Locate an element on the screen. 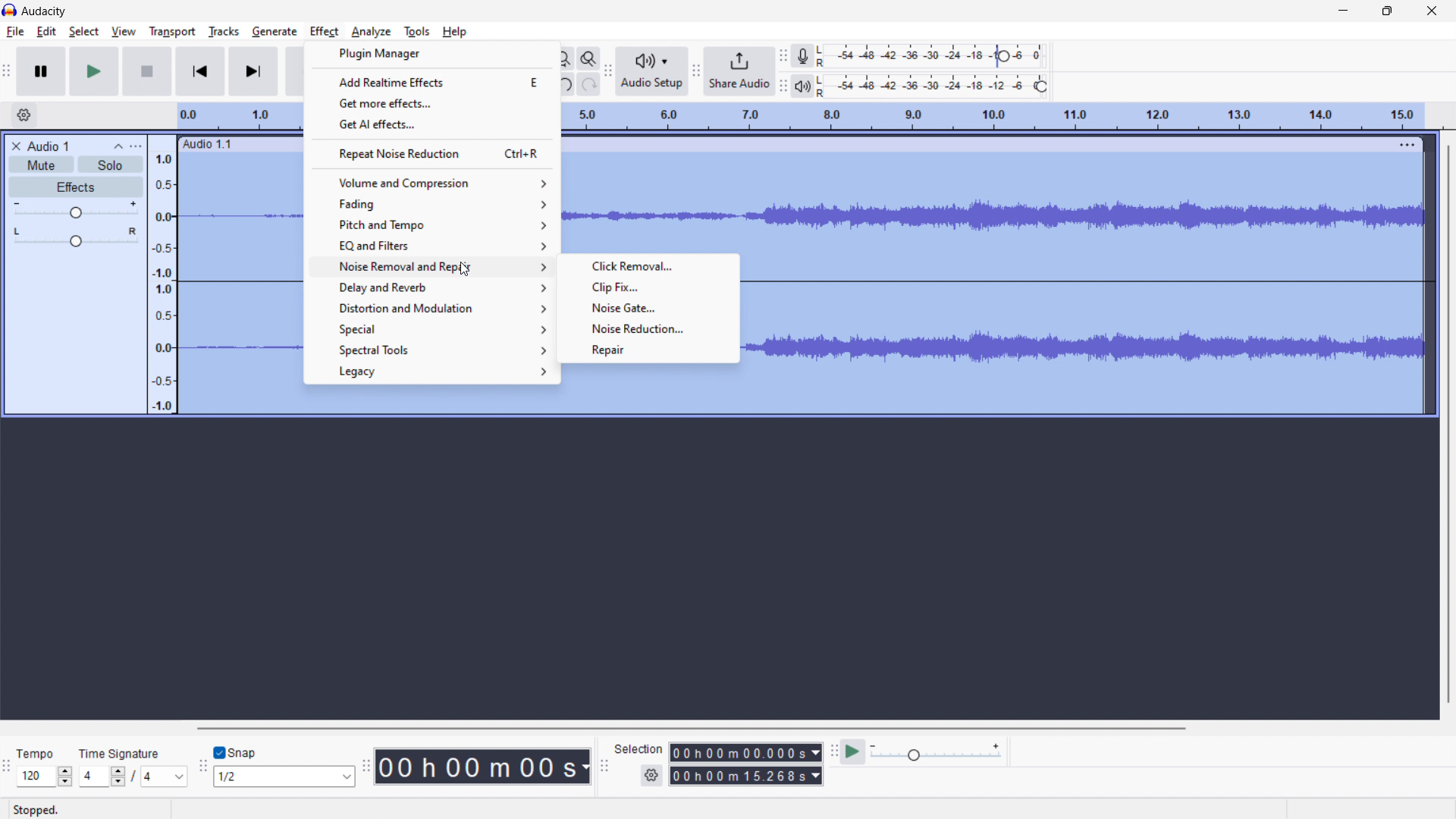 This screenshot has width=1456, height=819. EQ and filters is located at coordinates (431, 244).